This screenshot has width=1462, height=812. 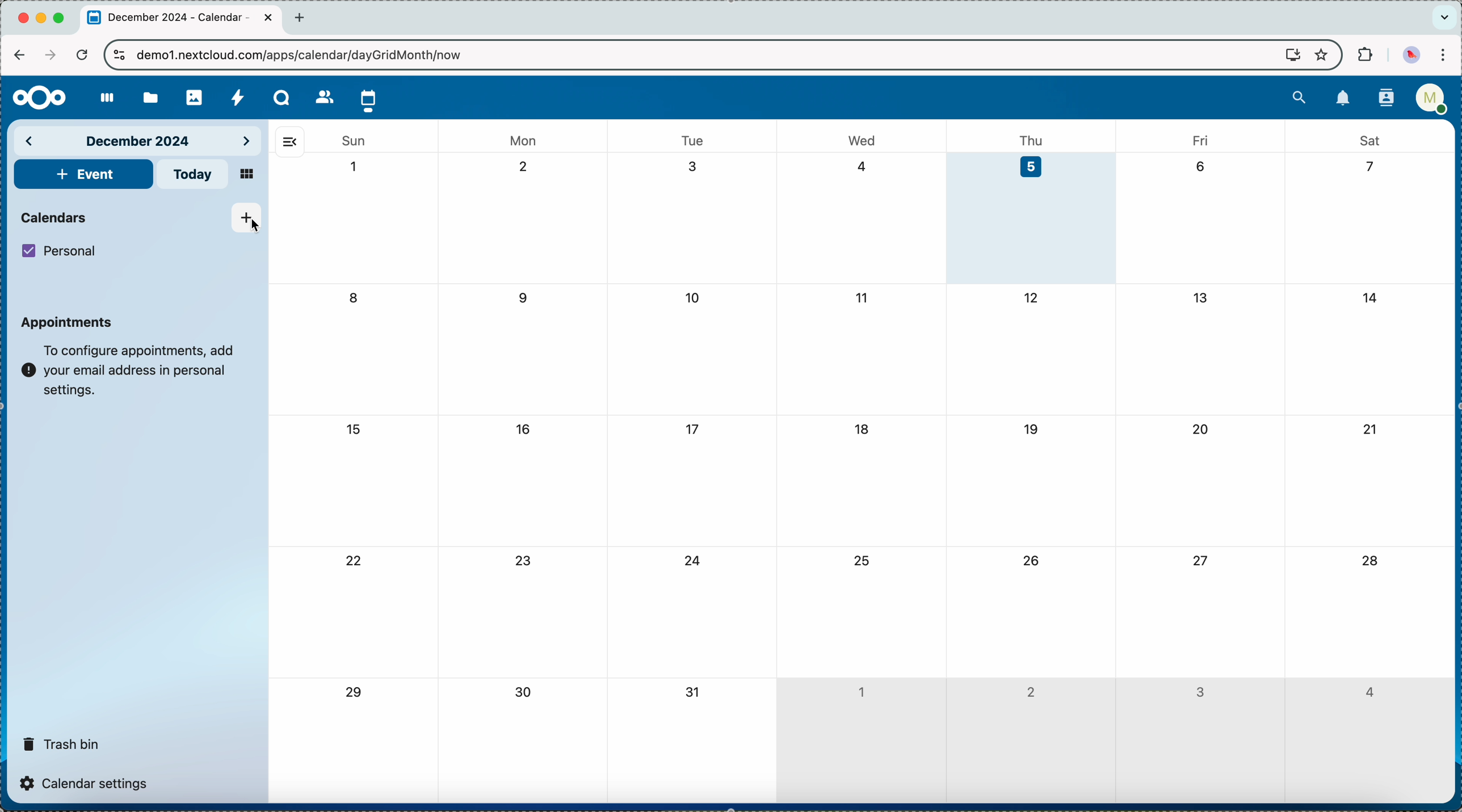 What do you see at coordinates (526, 297) in the screenshot?
I see `9` at bounding box center [526, 297].